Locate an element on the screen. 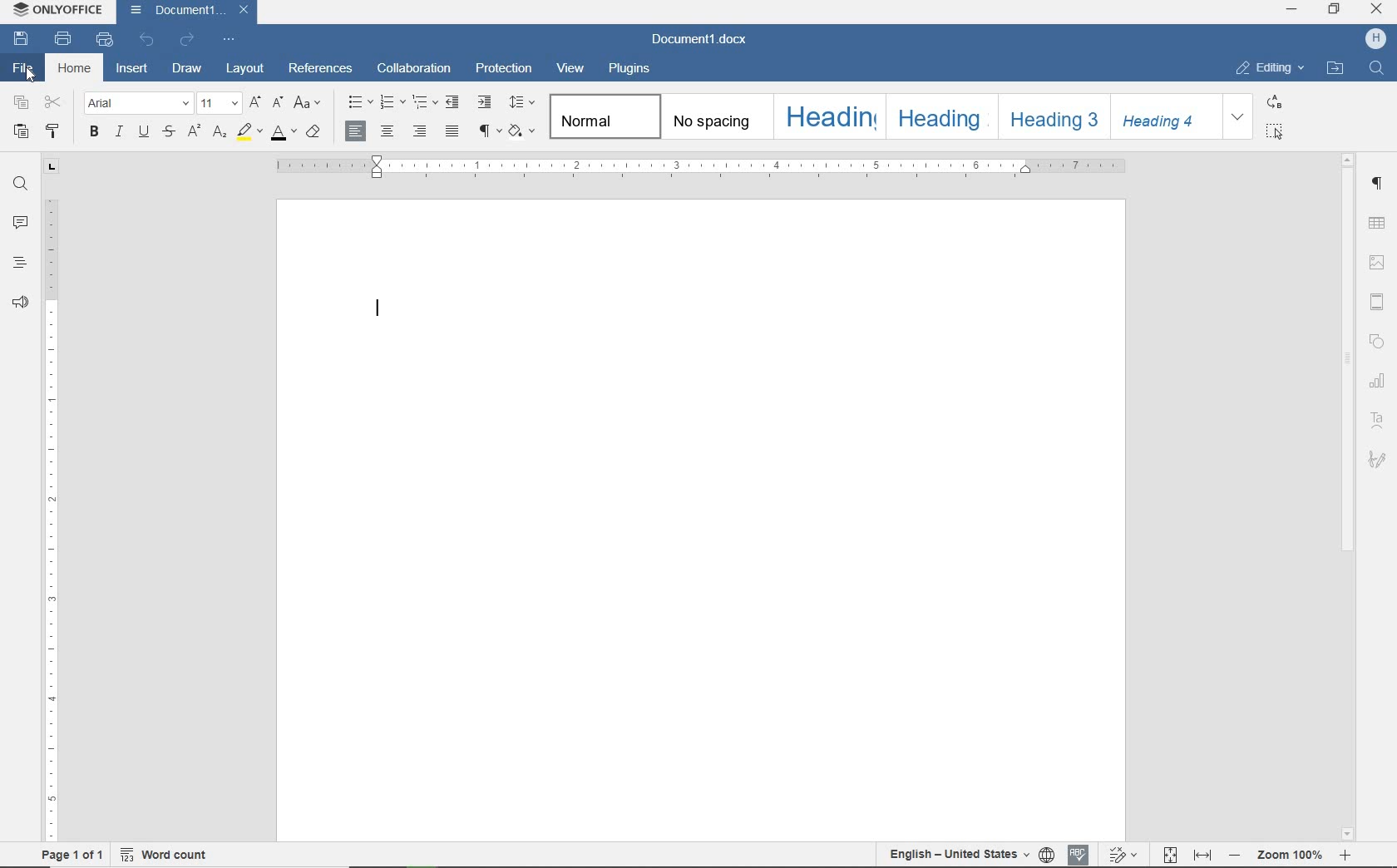 Image resolution: width=1397 pixels, height=868 pixels. bullets is located at coordinates (360, 101).